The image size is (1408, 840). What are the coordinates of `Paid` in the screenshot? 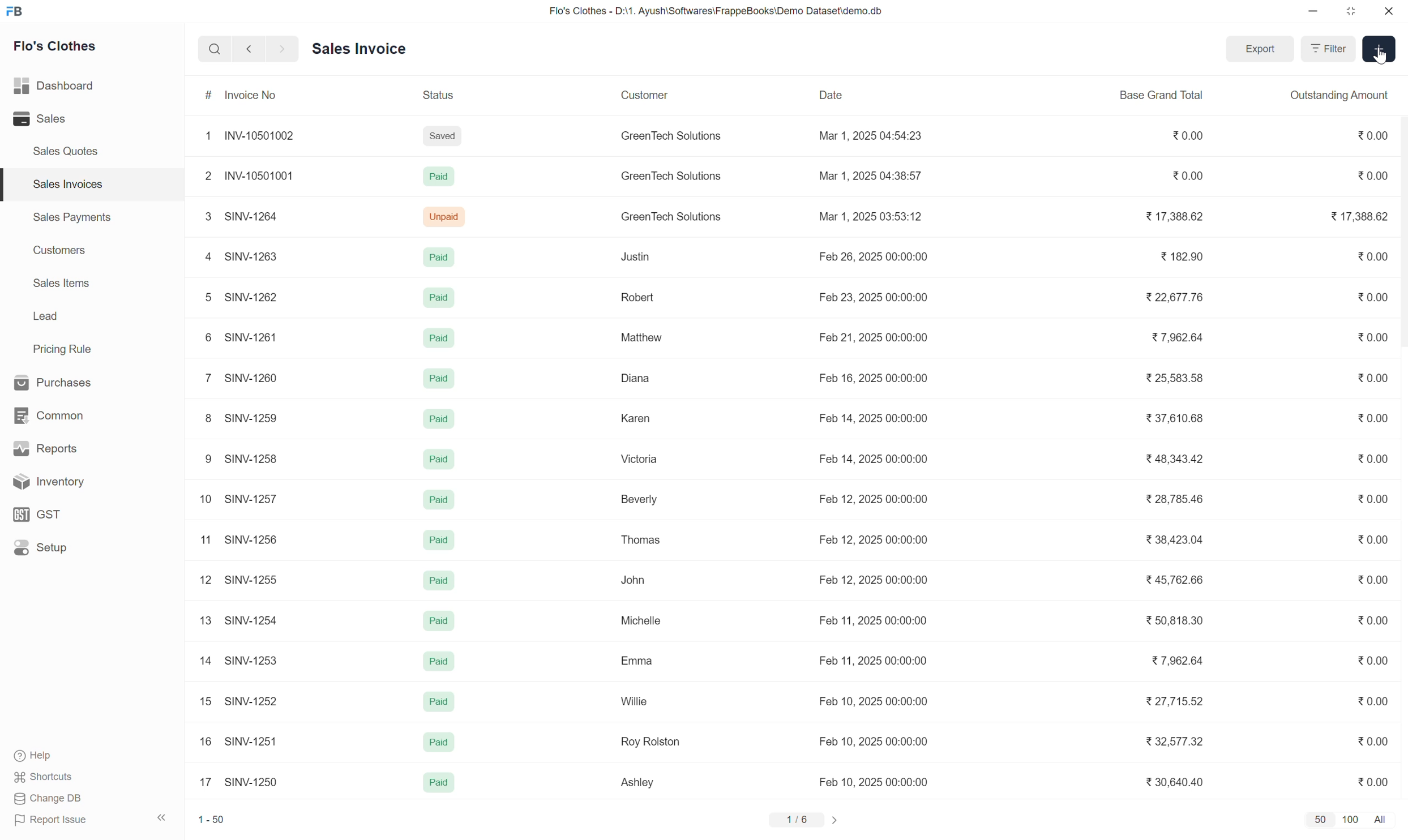 It's located at (435, 258).